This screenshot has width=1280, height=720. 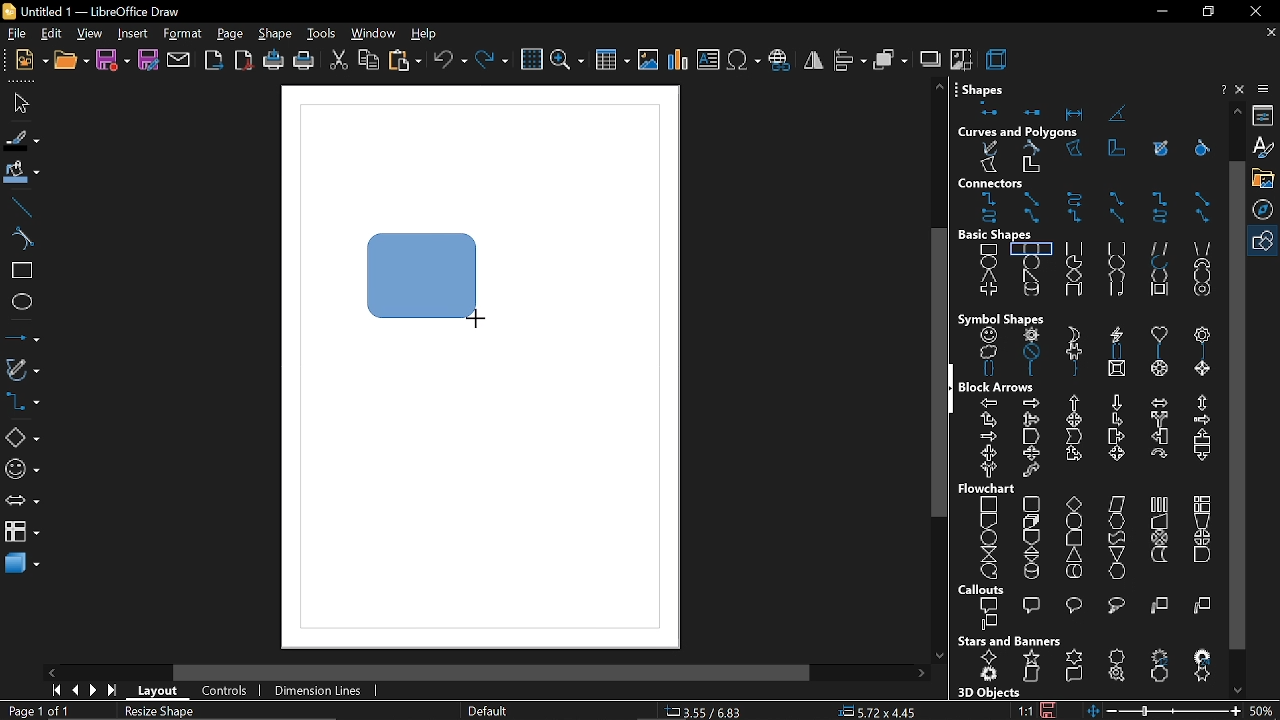 I want to click on curves and polygons, so click(x=1091, y=158).